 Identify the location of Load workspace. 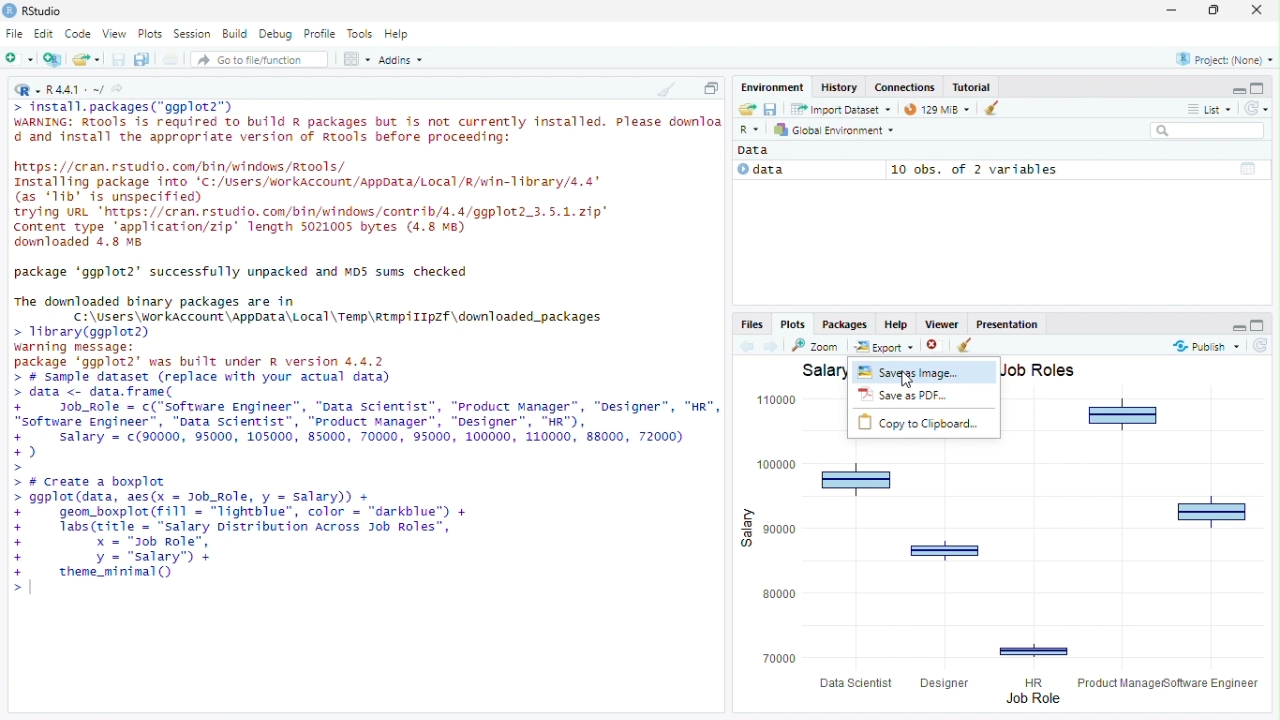
(745, 108).